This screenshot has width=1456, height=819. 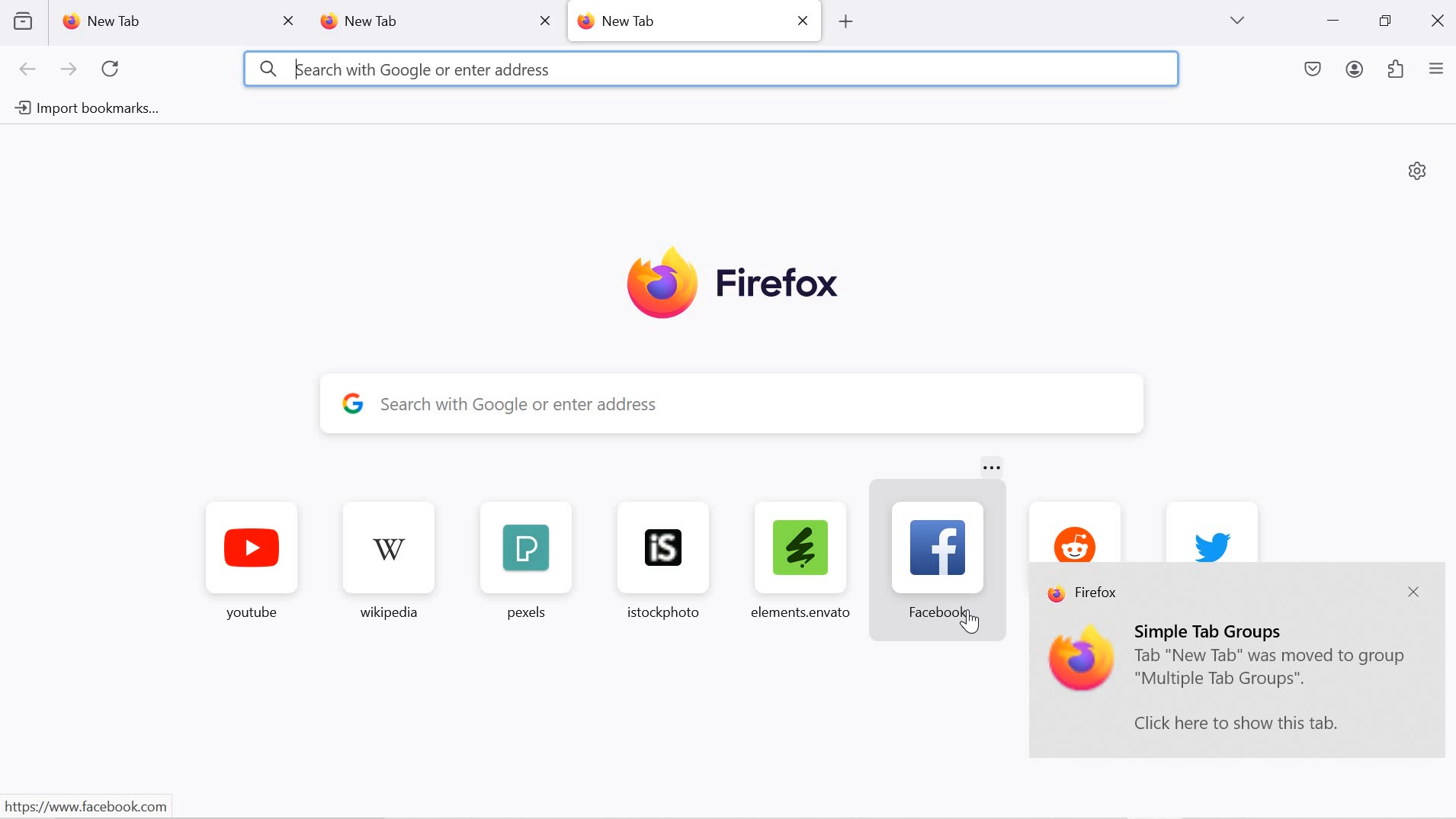 I want to click on close, so click(x=1440, y=19).